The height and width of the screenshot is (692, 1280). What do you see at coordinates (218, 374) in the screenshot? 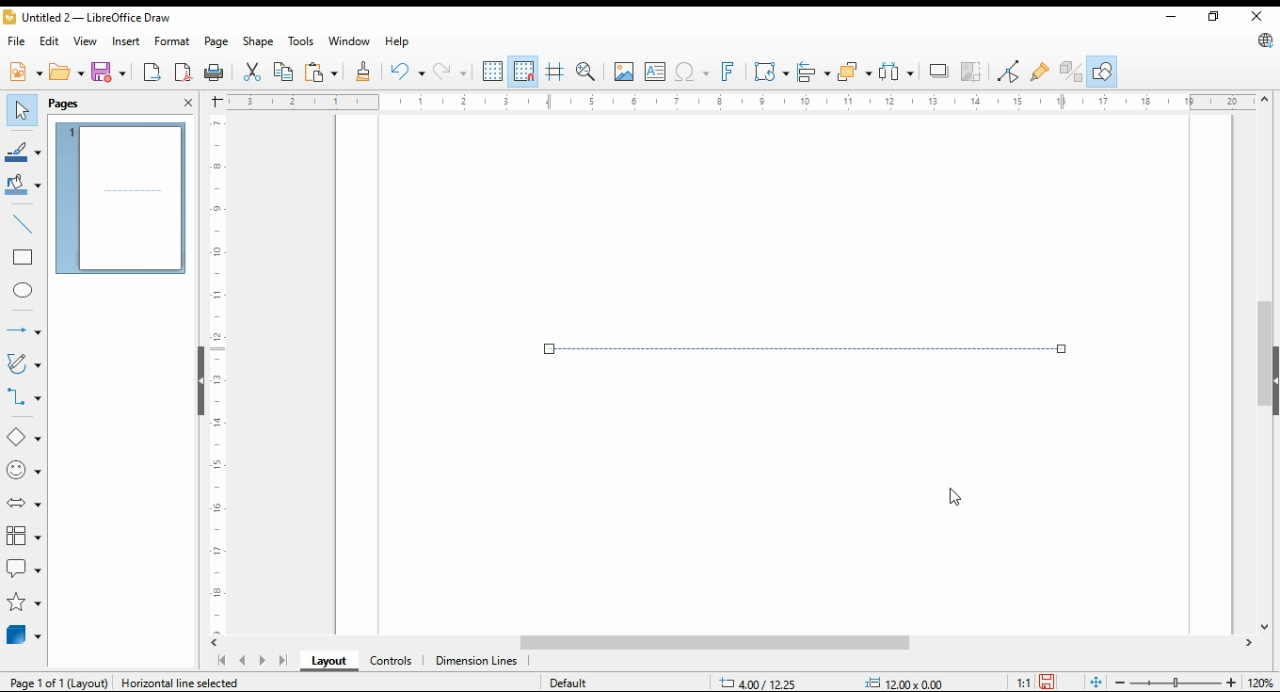
I see `vertical scale` at bounding box center [218, 374].